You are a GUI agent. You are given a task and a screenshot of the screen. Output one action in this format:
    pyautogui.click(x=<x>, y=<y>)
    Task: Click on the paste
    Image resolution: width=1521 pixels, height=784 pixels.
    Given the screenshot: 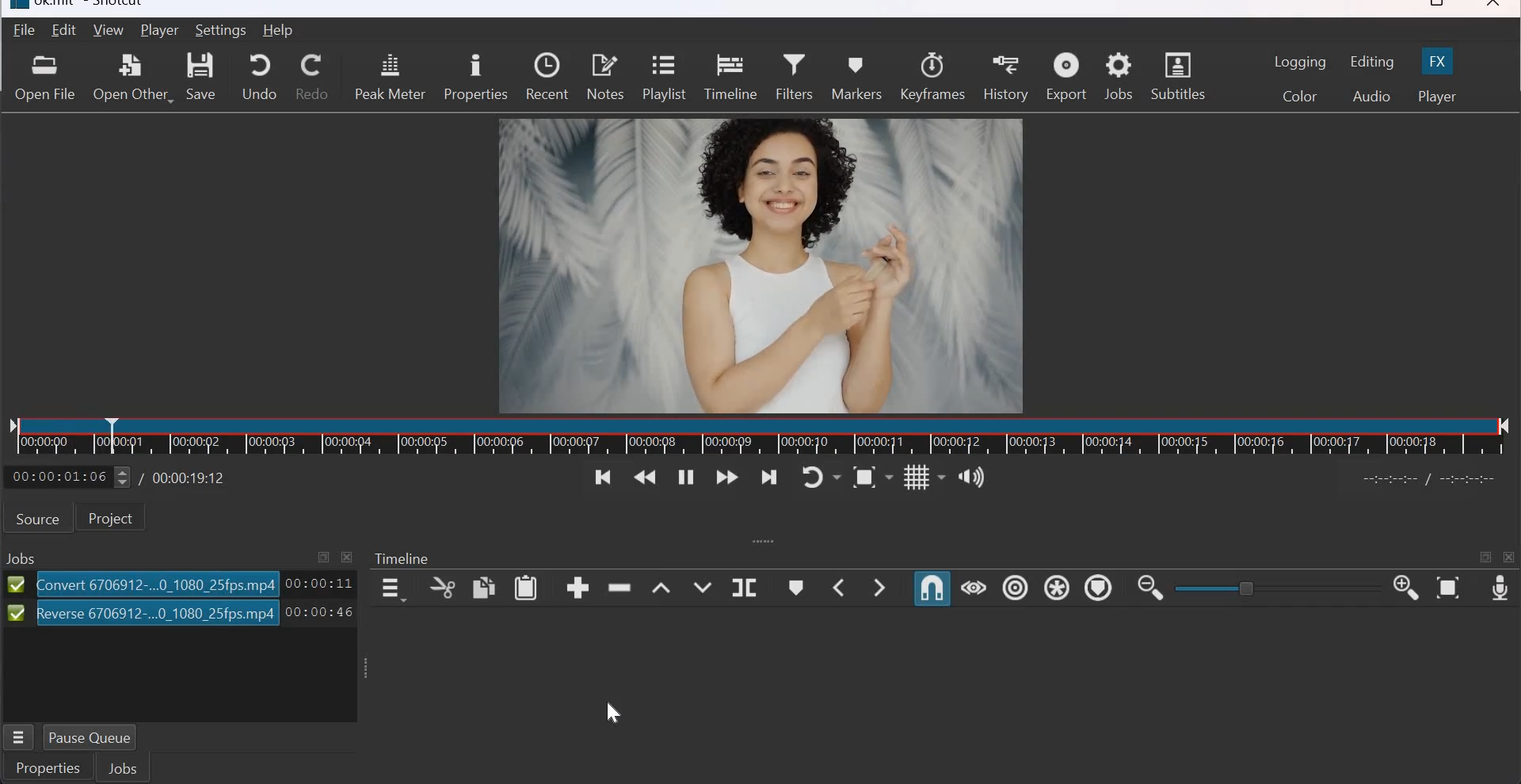 What is the action you would take?
    pyautogui.click(x=527, y=588)
    